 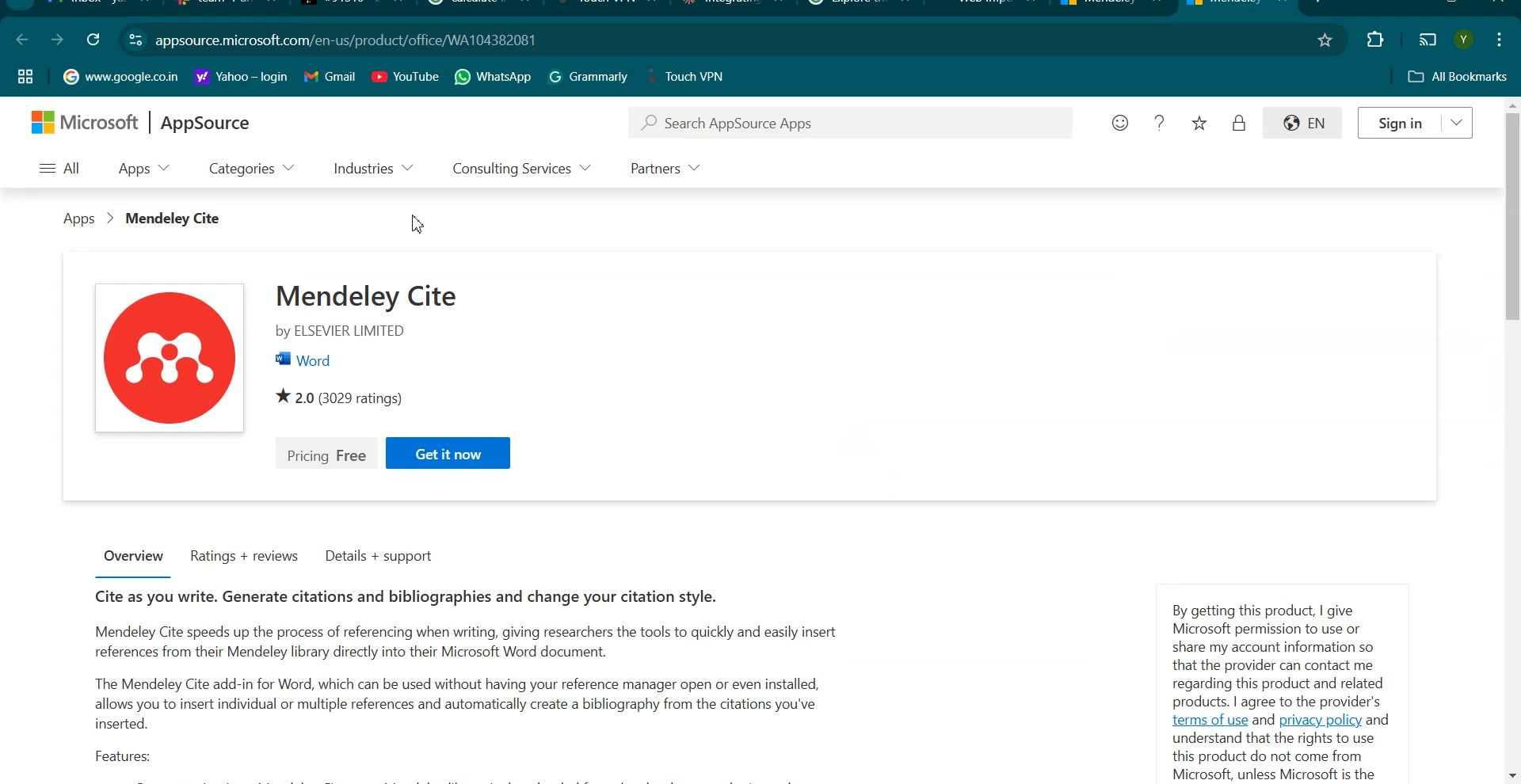 I want to click on Account, so click(x=1466, y=40).